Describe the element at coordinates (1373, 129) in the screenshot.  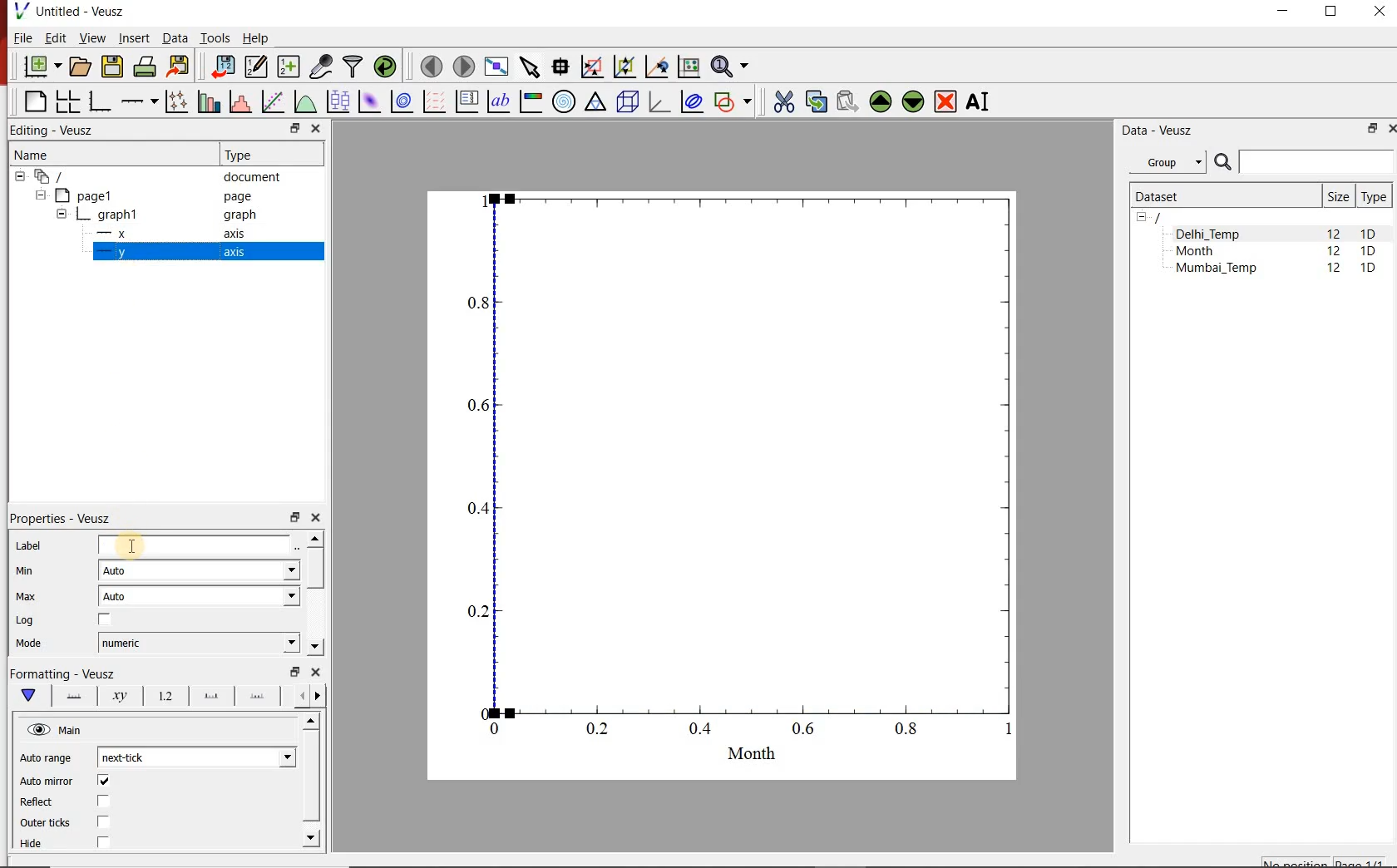
I see `RESTORE` at that location.